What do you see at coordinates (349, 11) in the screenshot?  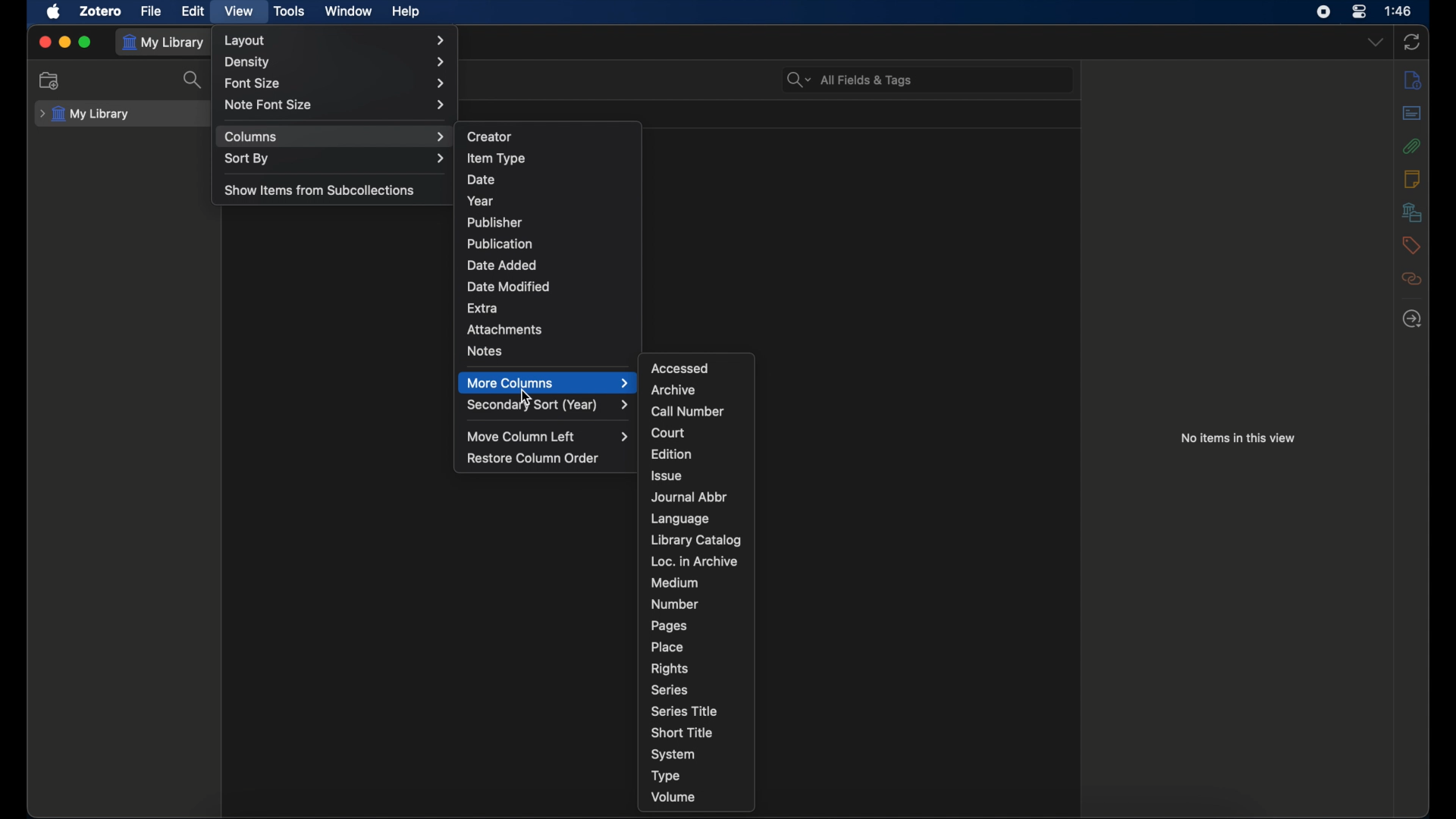 I see `window` at bounding box center [349, 11].